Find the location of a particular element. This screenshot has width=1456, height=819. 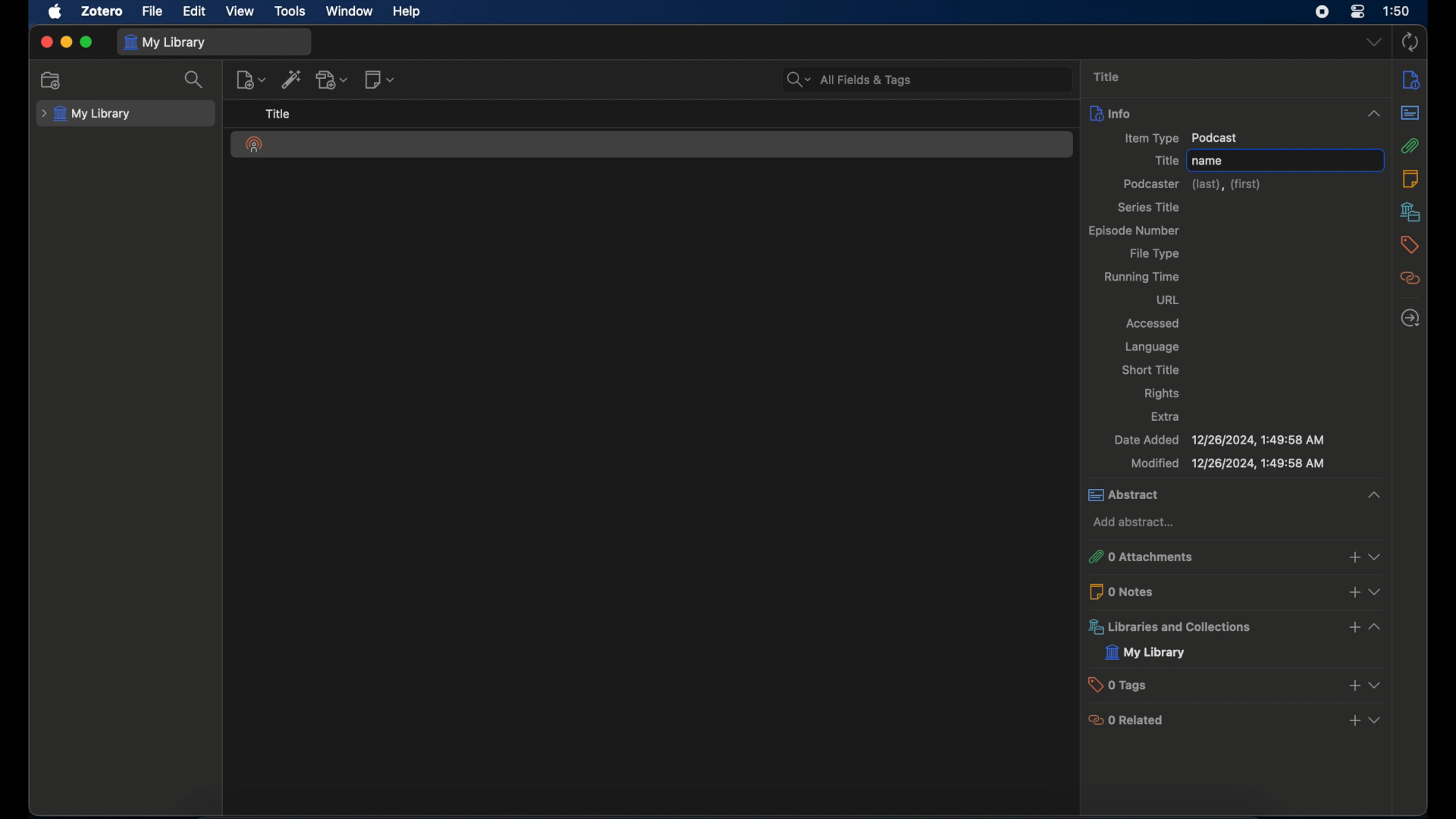

dropdown is located at coordinates (1375, 42).